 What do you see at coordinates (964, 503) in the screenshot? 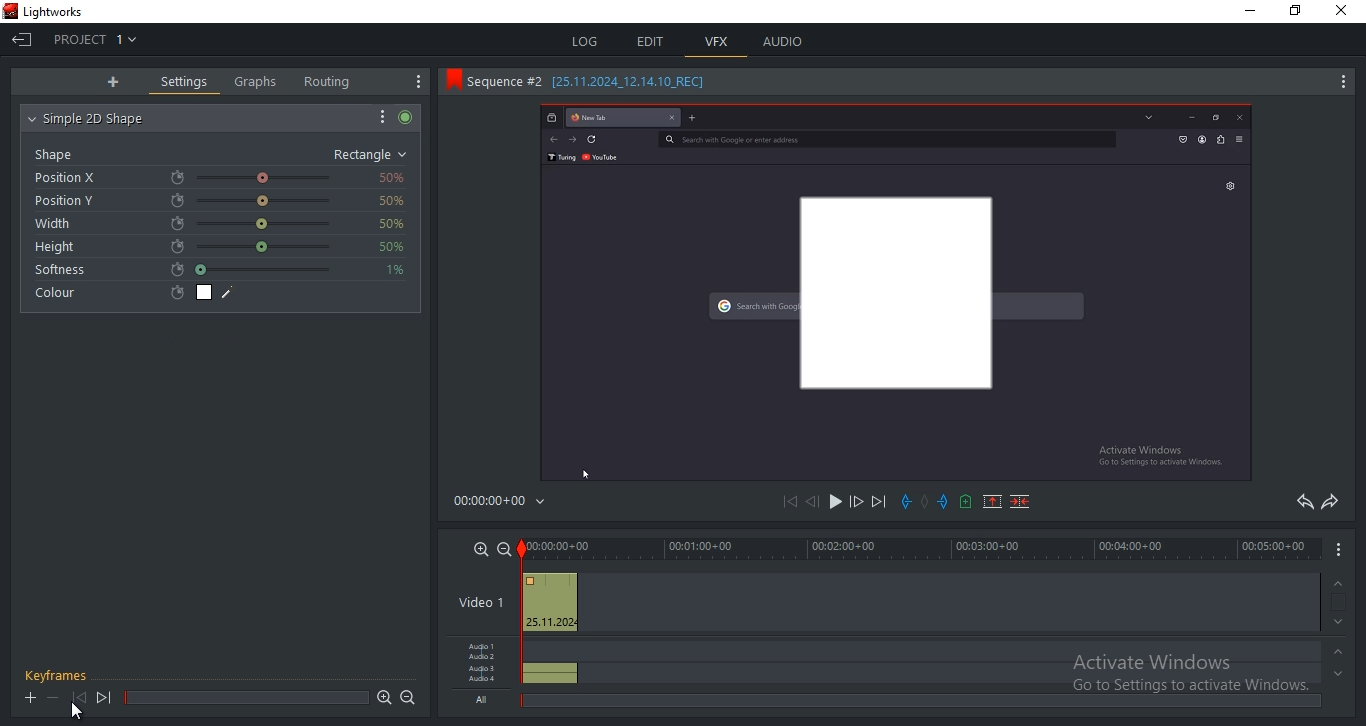
I see `add a cue` at bounding box center [964, 503].